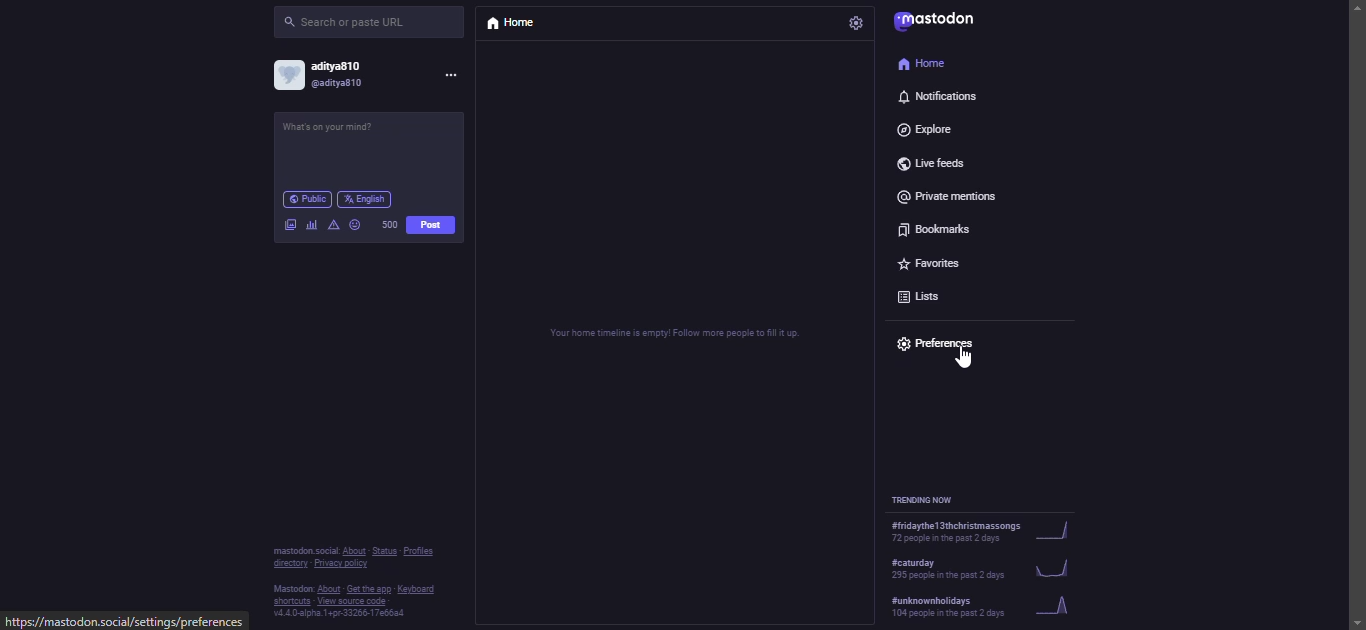  I want to click on trending, so click(968, 567).